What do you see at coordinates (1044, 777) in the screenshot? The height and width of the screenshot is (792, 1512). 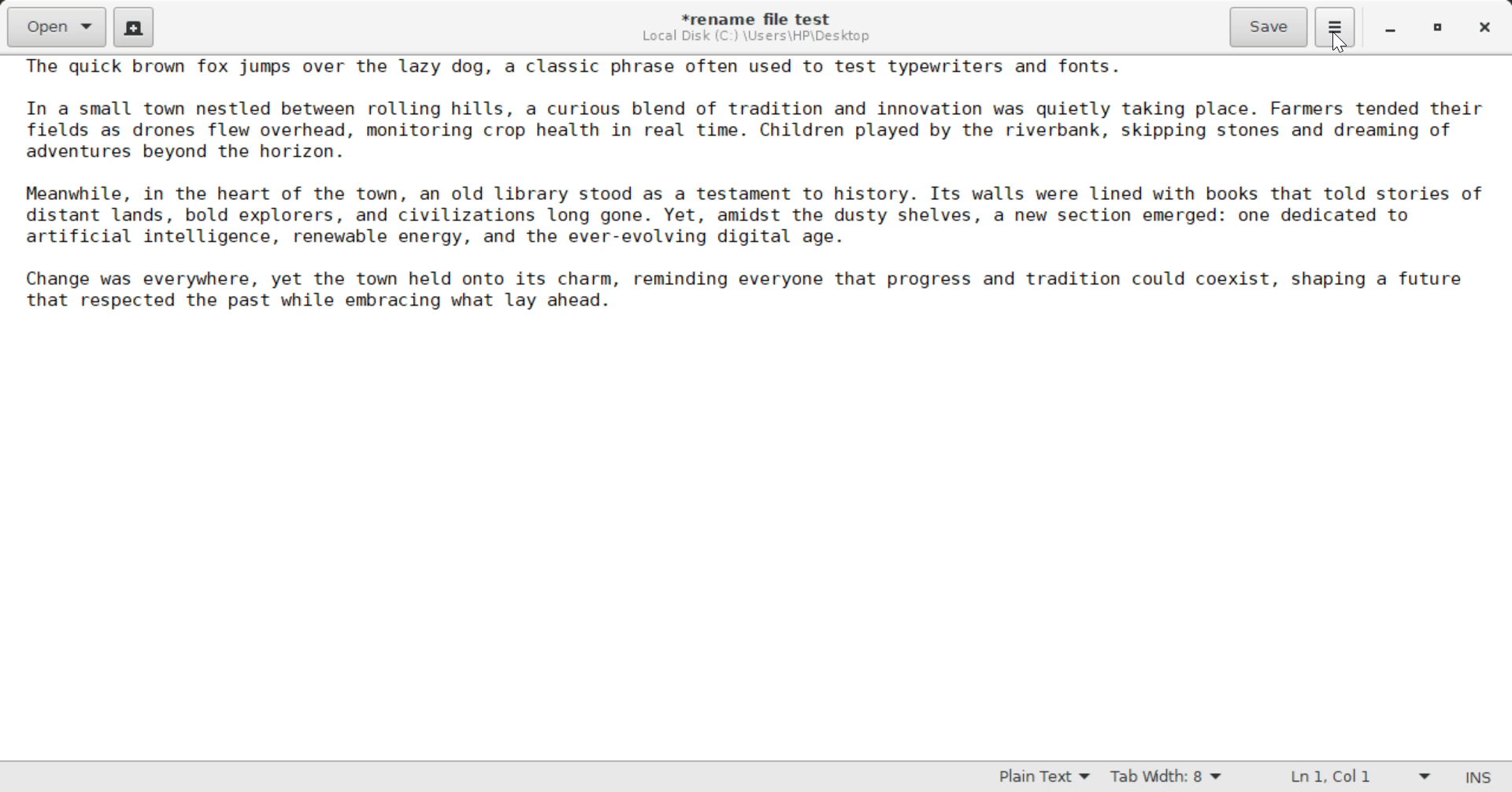 I see `Selected Language` at bounding box center [1044, 777].